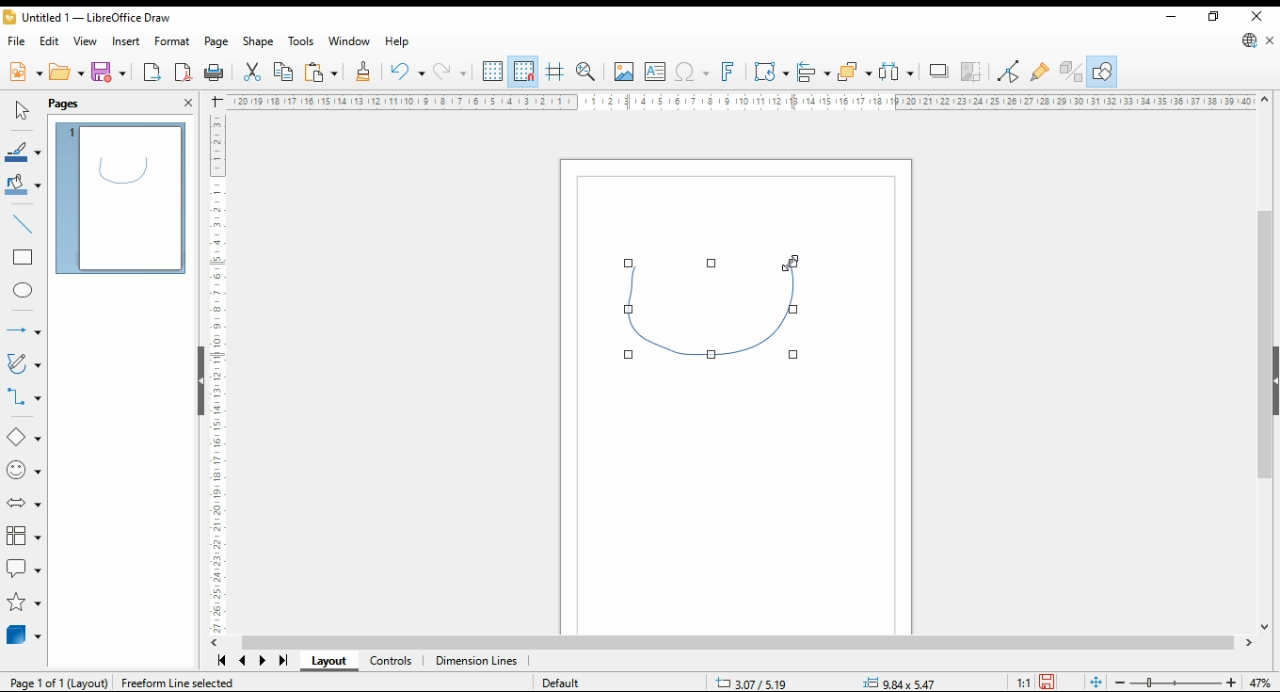 This screenshot has width=1280, height=692. What do you see at coordinates (1265, 361) in the screenshot?
I see `scroll bar` at bounding box center [1265, 361].